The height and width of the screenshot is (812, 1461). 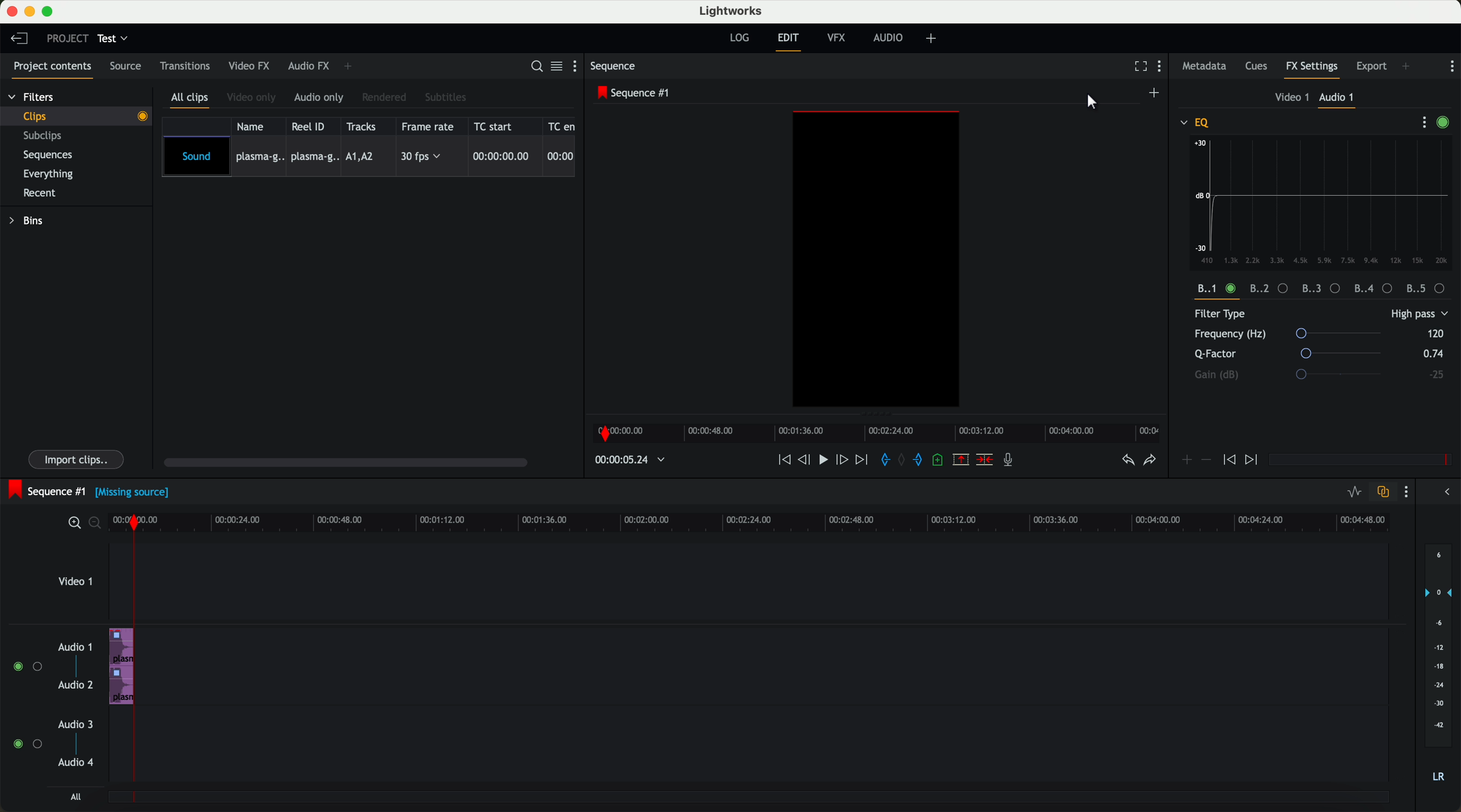 What do you see at coordinates (1092, 102) in the screenshot?
I see `cursor` at bounding box center [1092, 102].